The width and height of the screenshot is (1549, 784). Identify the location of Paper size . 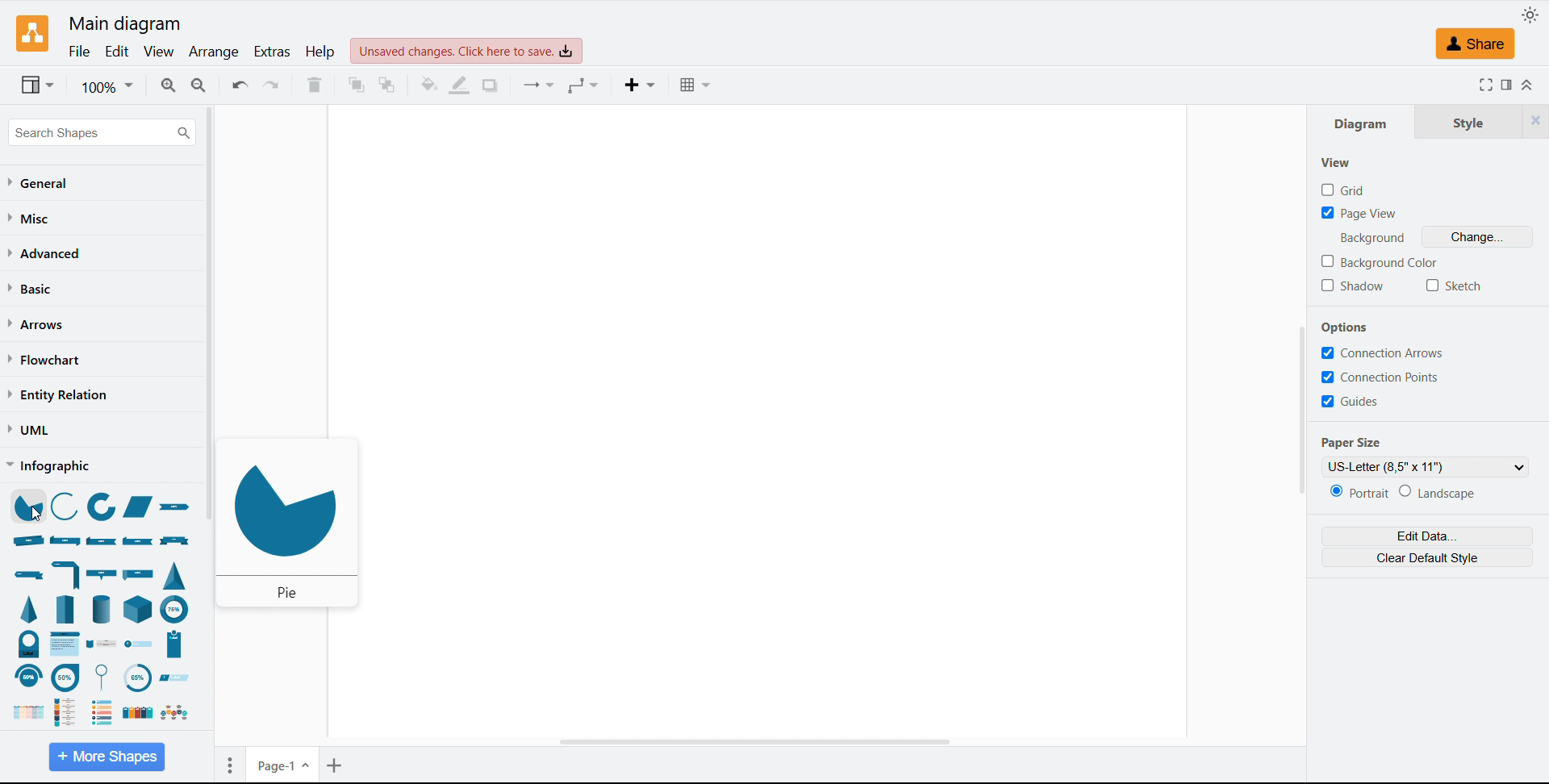
(1350, 442).